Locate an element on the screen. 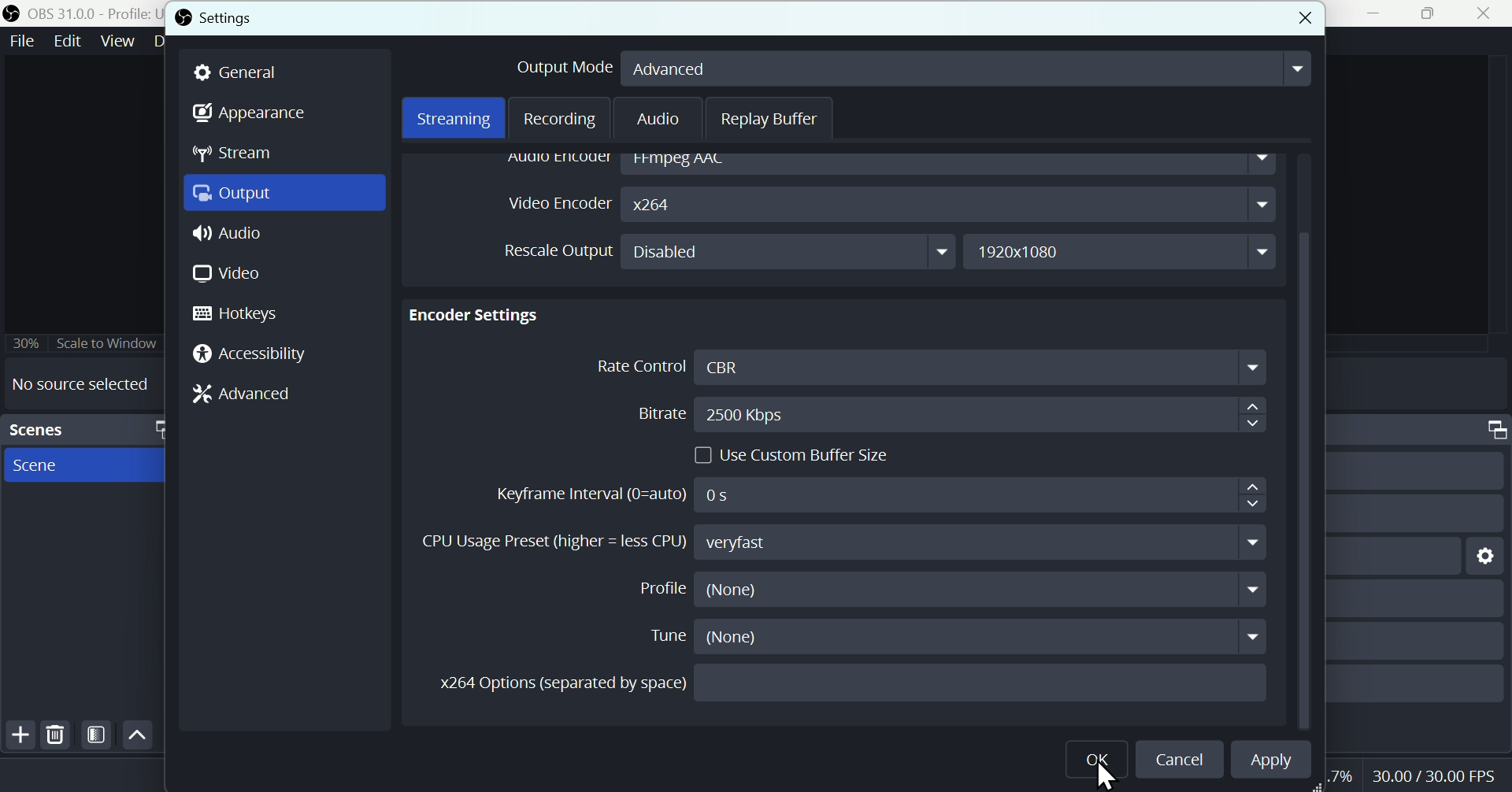  no source selected is located at coordinates (76, 384).